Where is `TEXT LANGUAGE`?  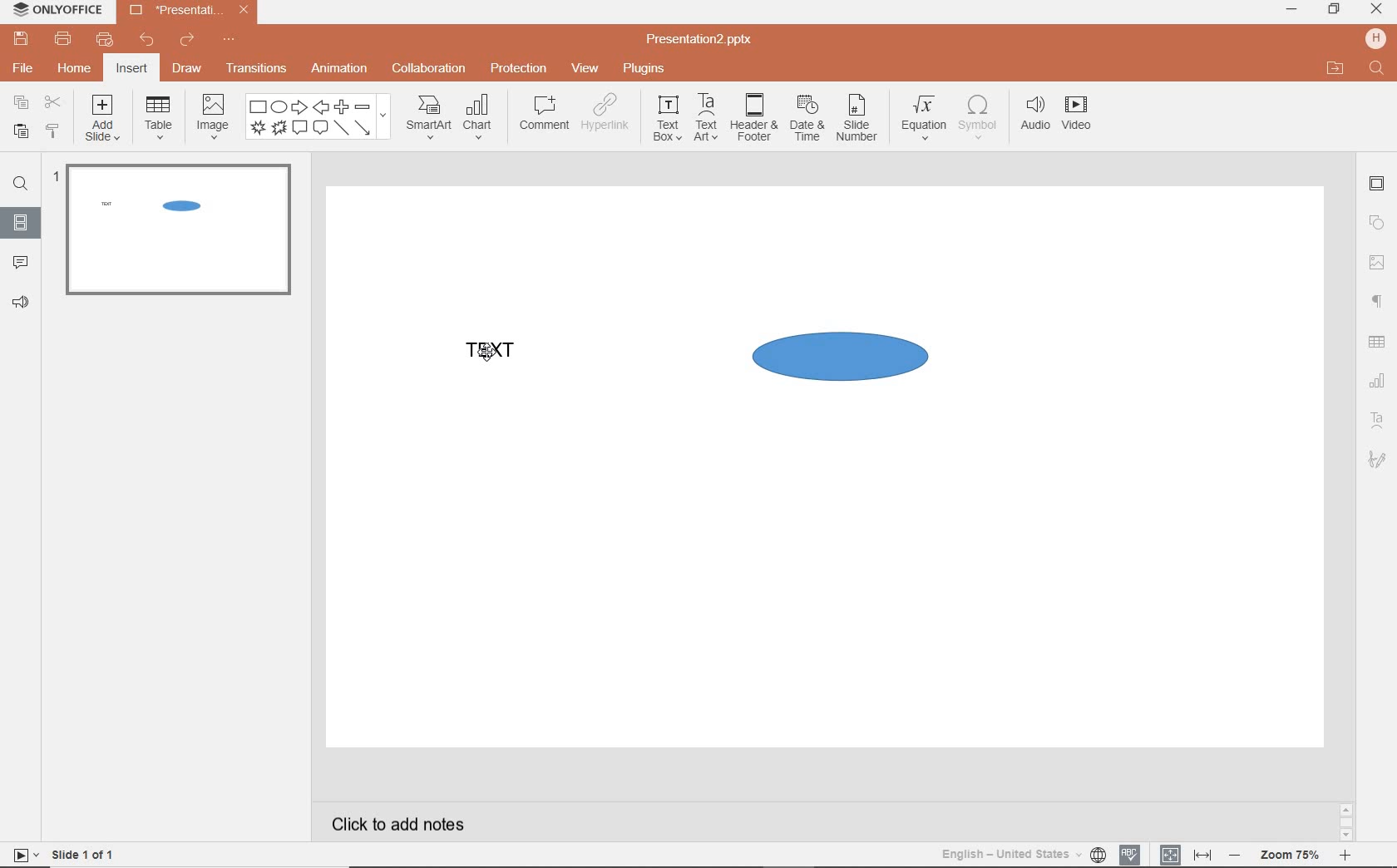
TEXT LANGUAGE is located at coordinates (1021, 855).